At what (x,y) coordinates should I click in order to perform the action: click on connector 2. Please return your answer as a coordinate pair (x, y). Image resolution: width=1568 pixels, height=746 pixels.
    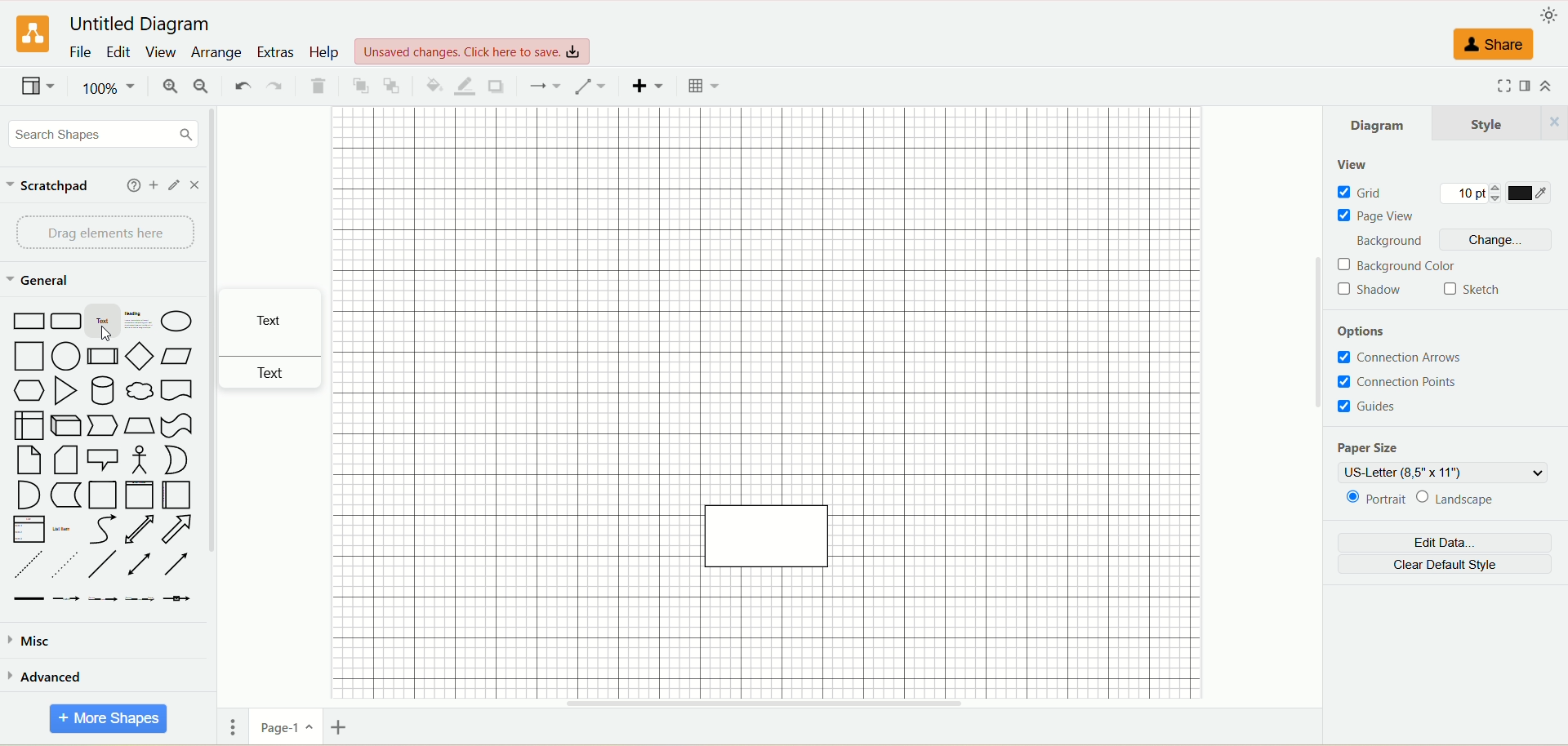
    Looking at the image, I should click on (66, 597).